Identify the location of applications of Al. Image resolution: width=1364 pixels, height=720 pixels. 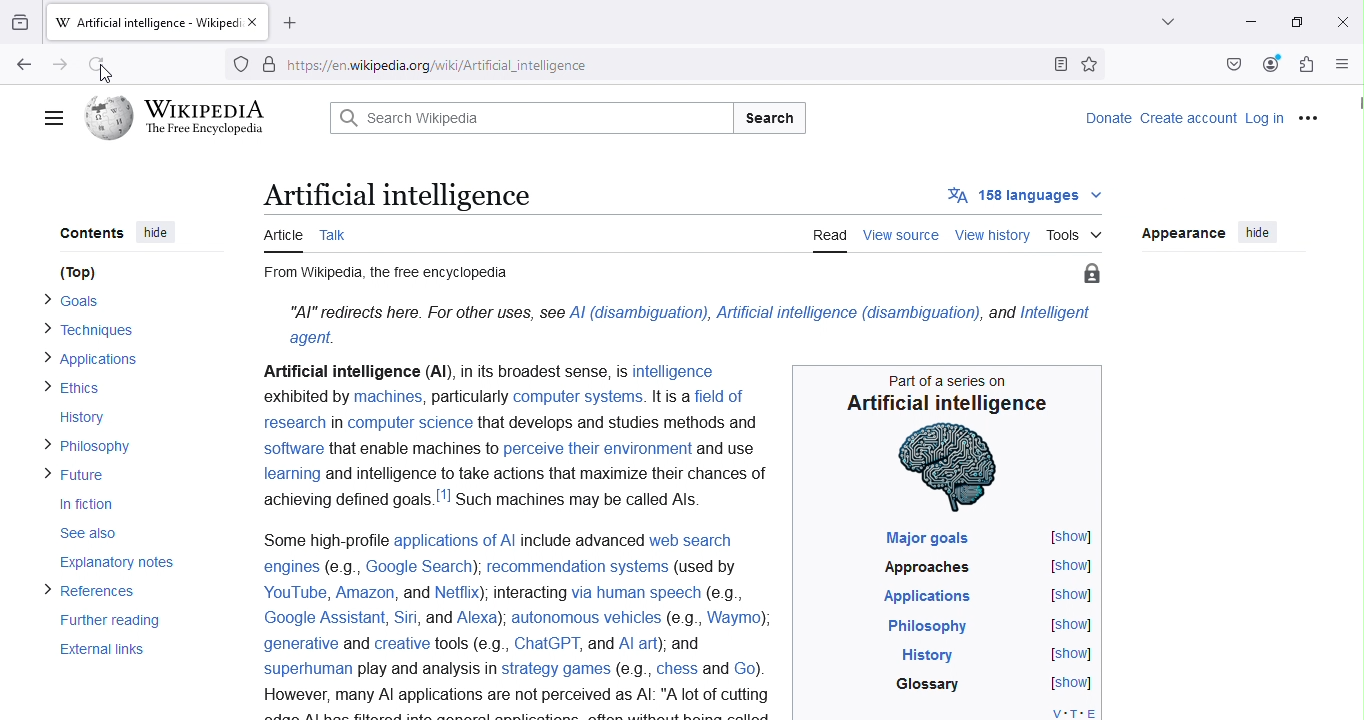
(455, 539).